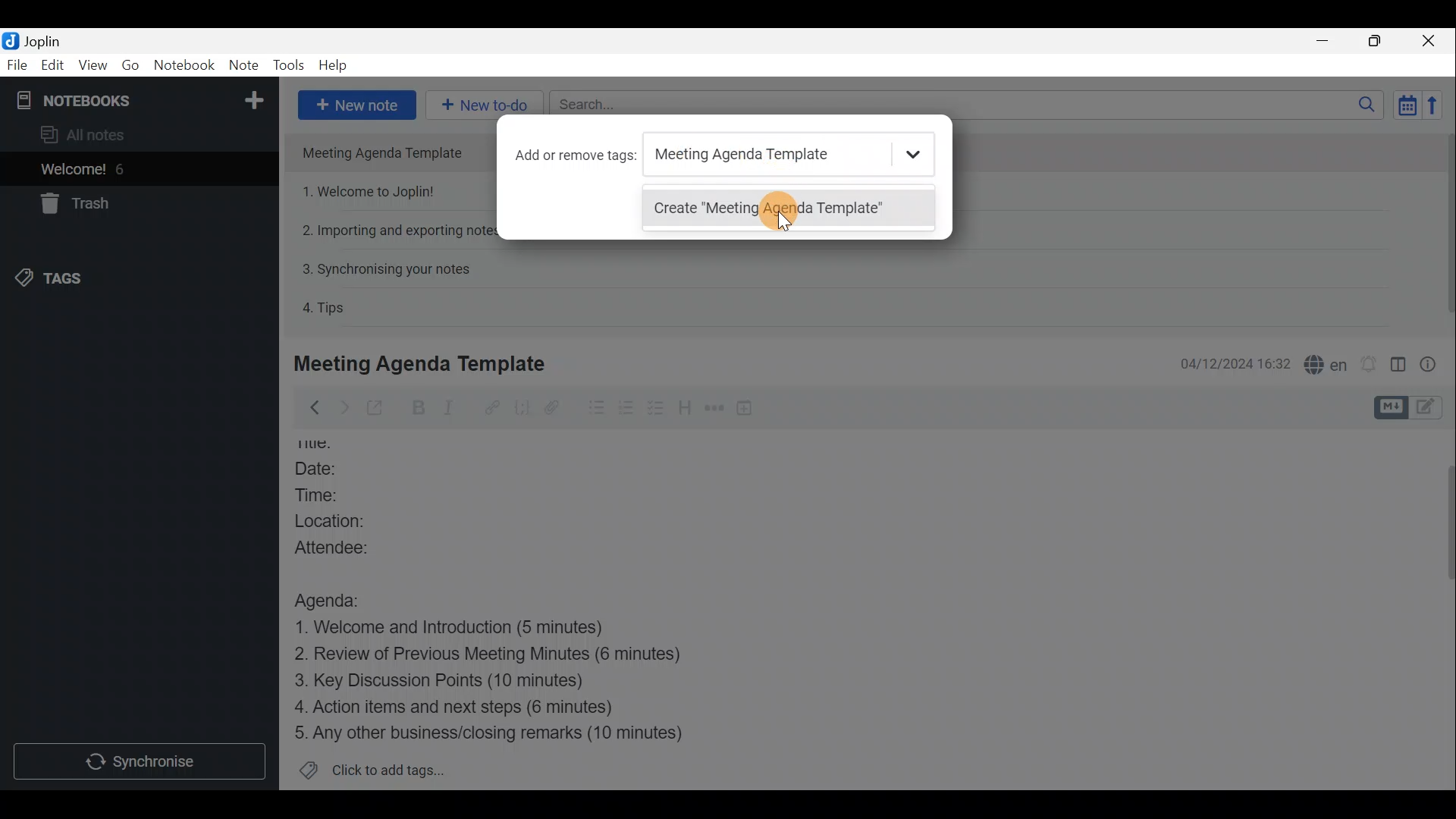 The height and width of the screenshot is (819, 1456). What do you see at coordinates (325, 444) in the screenshot?
I see `` at bounding box center [325, 444].